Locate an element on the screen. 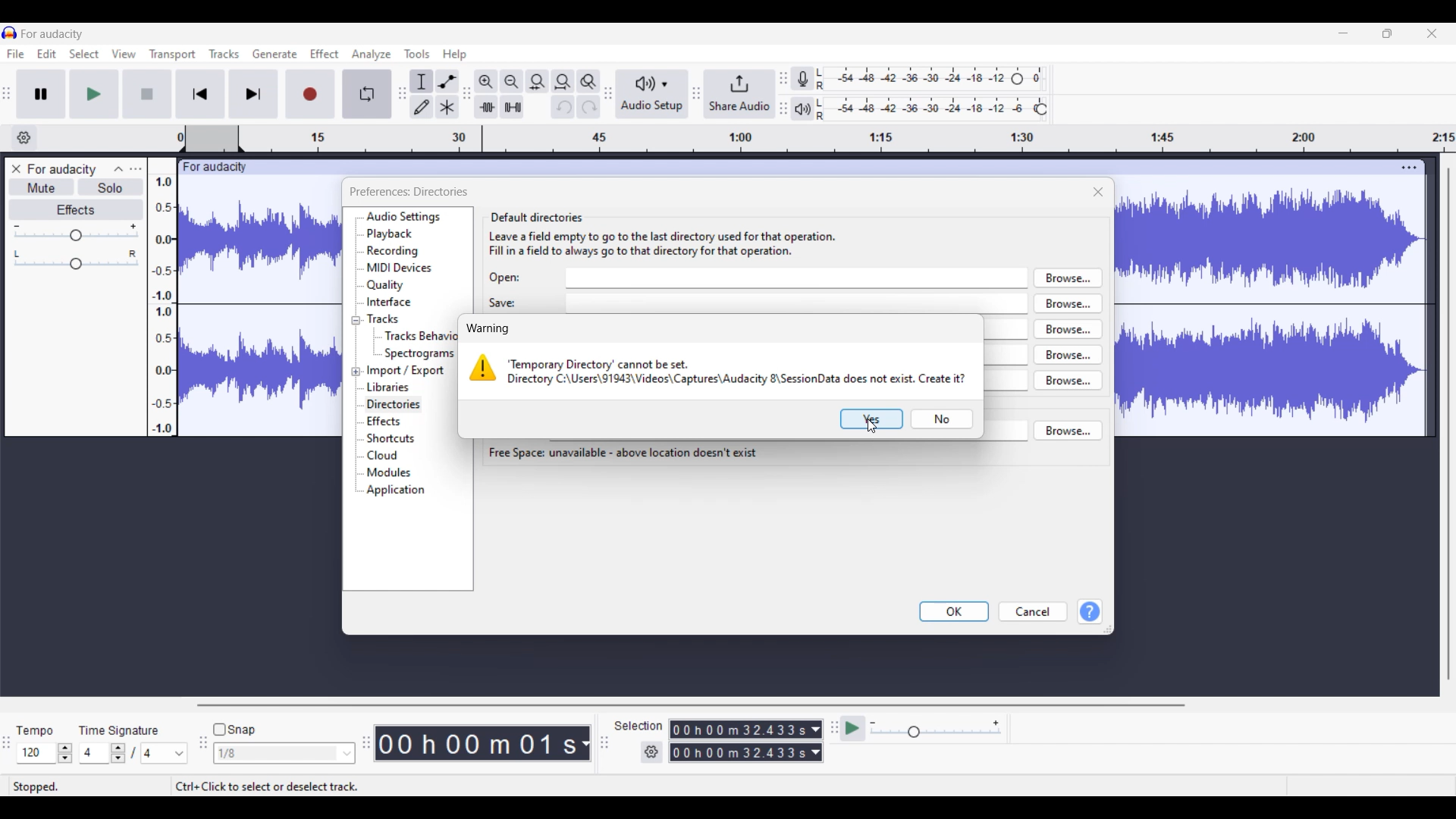  Minimize is located at coordinates (1344, 33).